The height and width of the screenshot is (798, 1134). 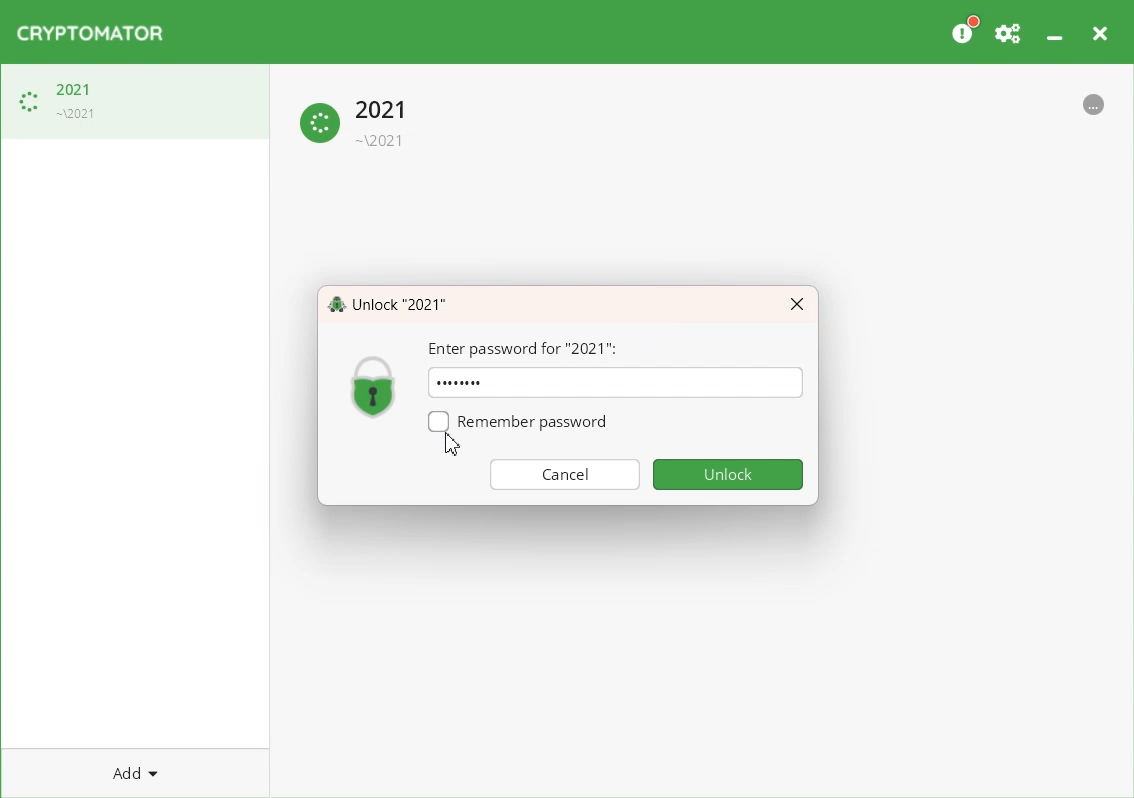 I want to click on Cancel, so click(x=565, y=473).